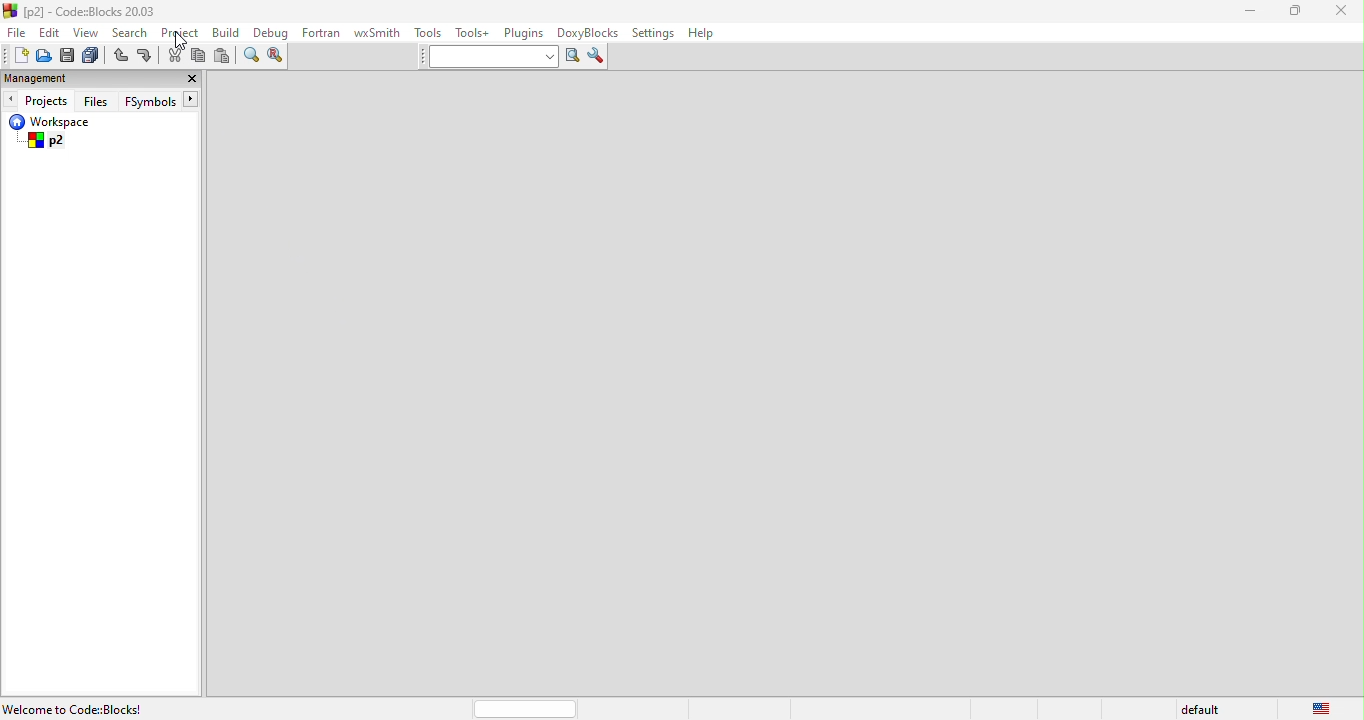  What do you see at coordinates (69, 56) in the screenshot?
I see `save` at bounding box center [69, 56].